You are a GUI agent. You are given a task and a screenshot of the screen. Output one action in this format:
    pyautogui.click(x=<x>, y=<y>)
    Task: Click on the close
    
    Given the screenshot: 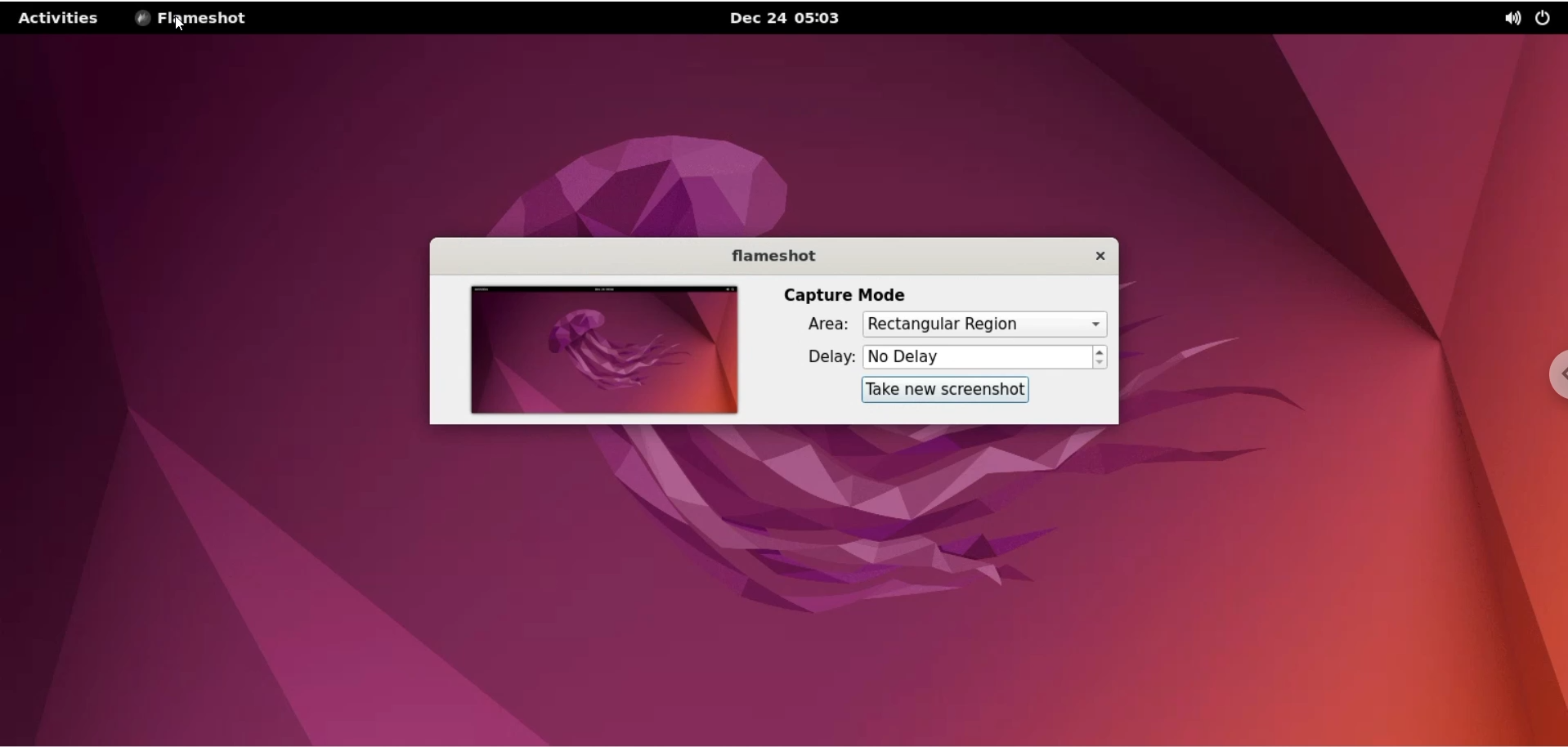 What is the action you would take?
    pyautogui.click(x=1087, y=257)
    